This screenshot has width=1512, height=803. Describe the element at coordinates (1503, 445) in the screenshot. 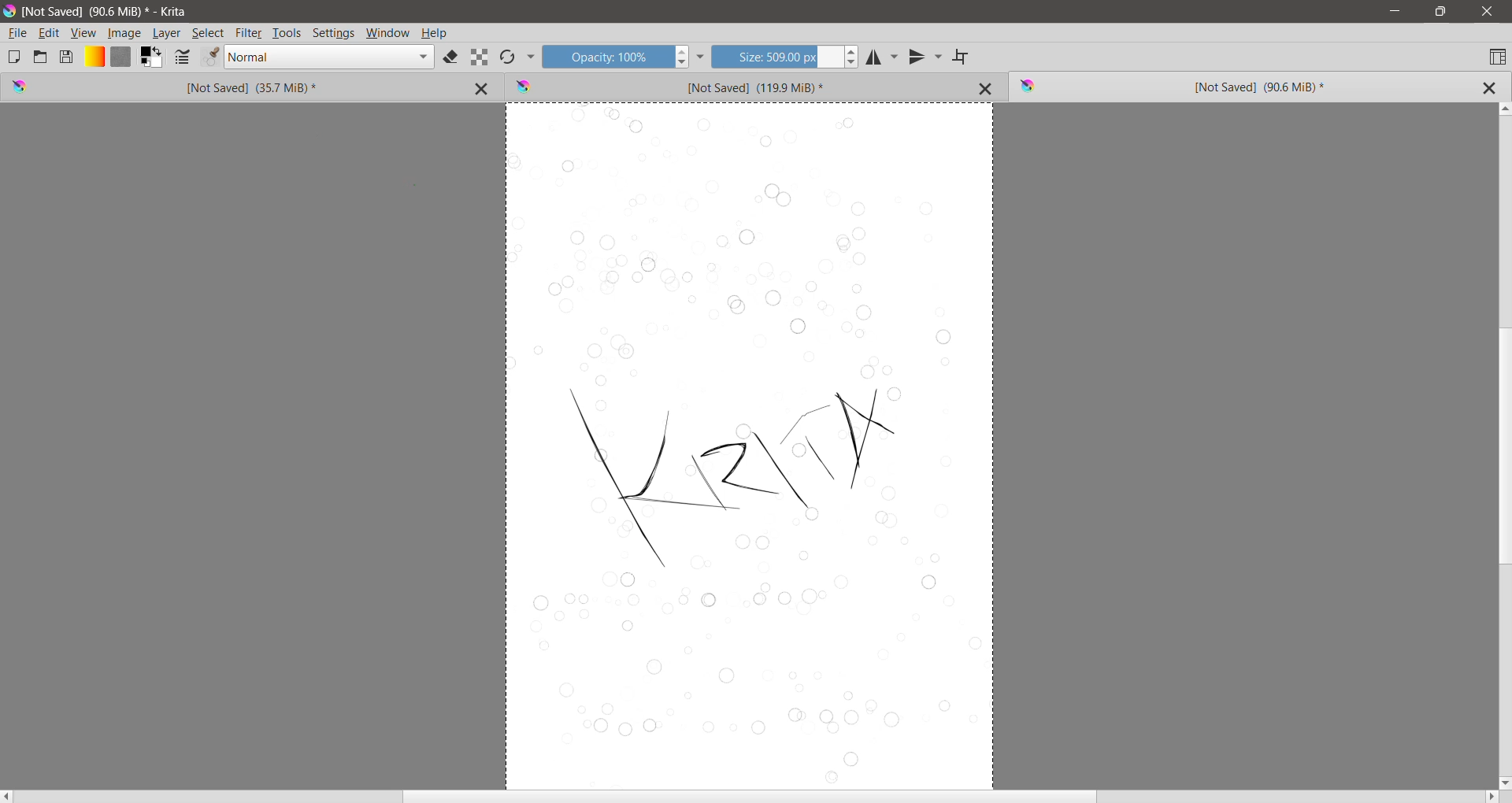

I see `Vertical Scroll Bar` at that location.